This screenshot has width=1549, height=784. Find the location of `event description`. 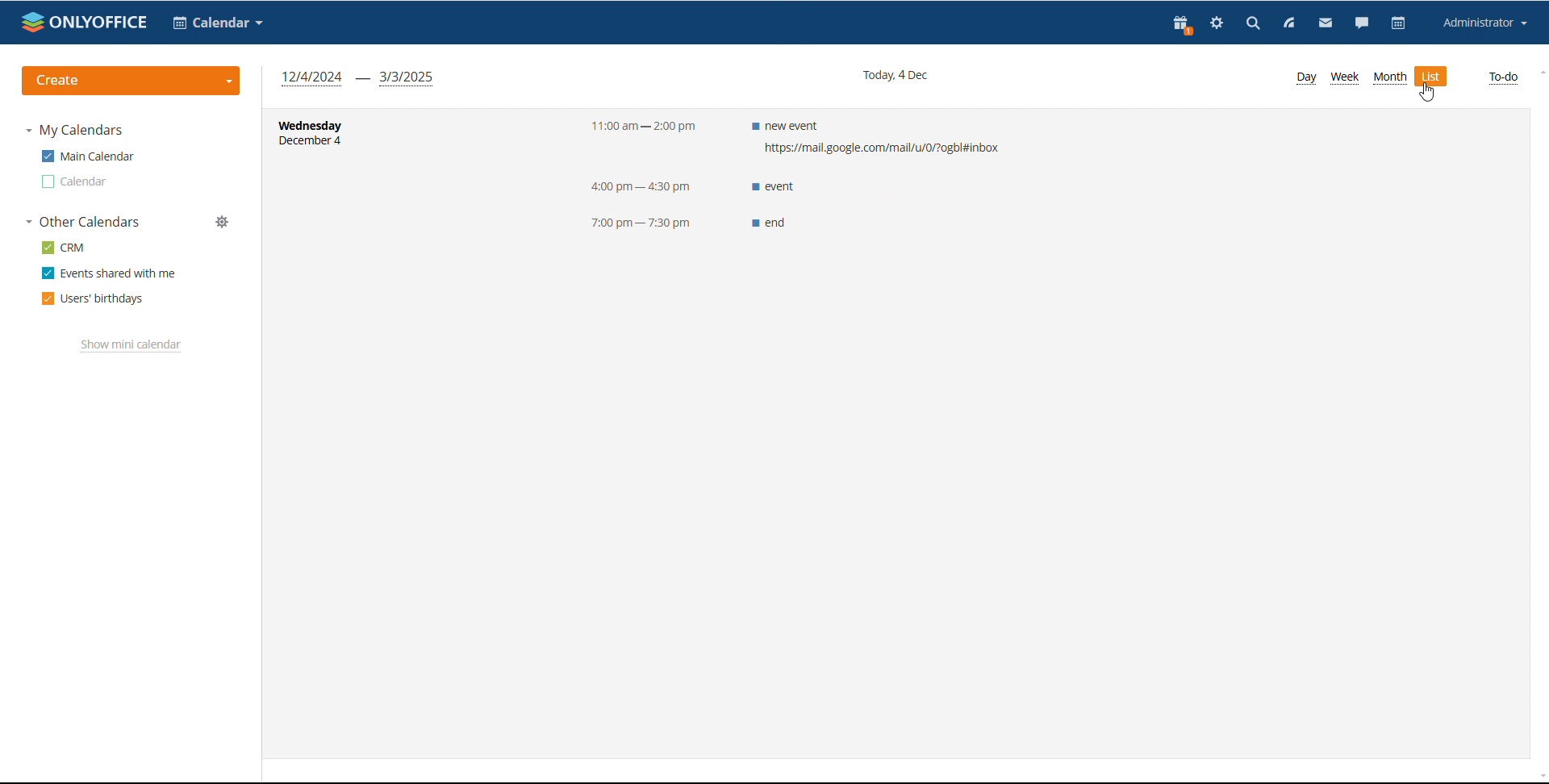

event description is located at coordinates (876, 173).